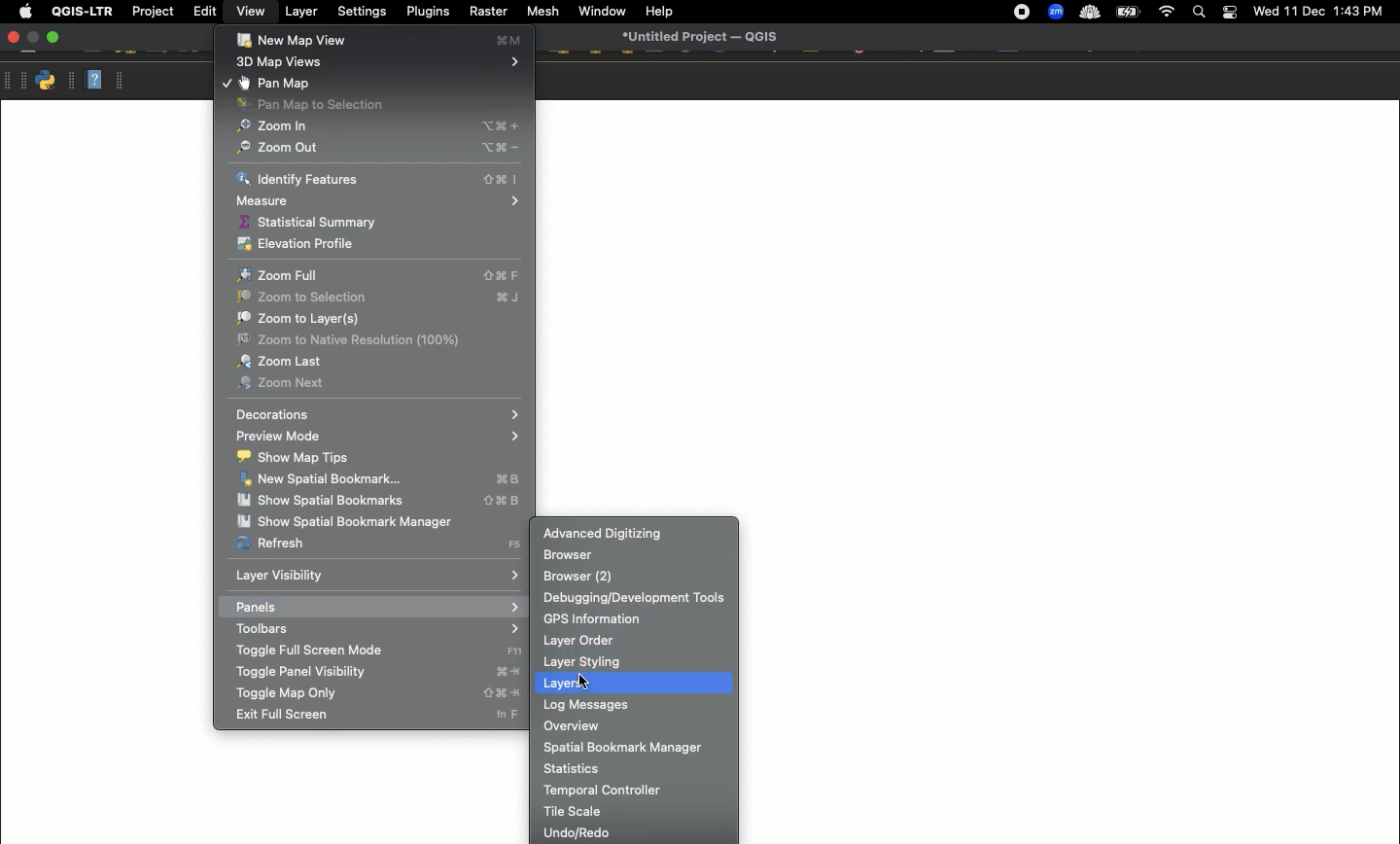  Describe the element at coordinates (380, 362) in the screenshot. I see `Zoom last` at that location.